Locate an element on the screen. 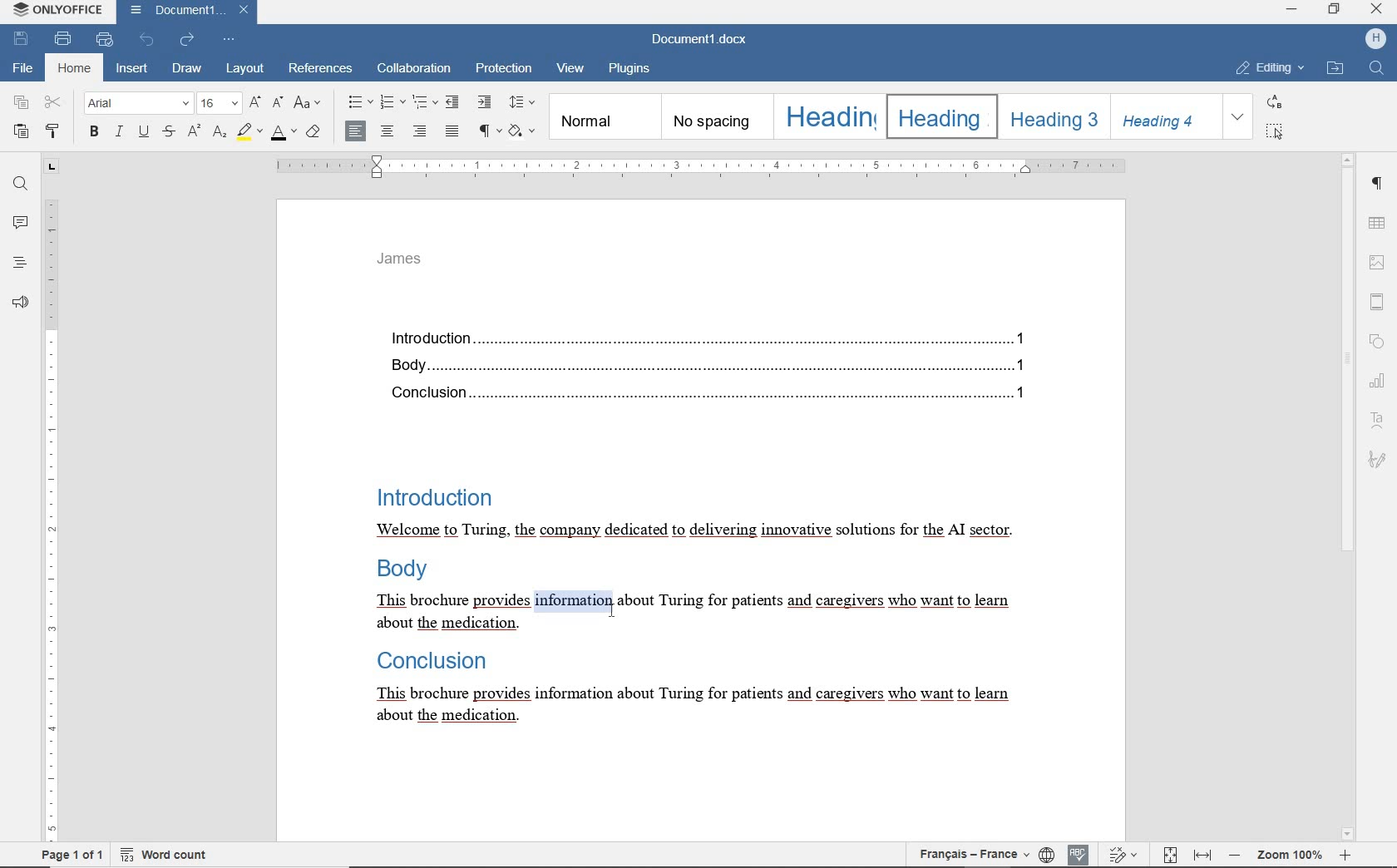 This screenshot has height=868, width=1397. OPEN FILE LOCATION is located at coordinates (1335, 70).